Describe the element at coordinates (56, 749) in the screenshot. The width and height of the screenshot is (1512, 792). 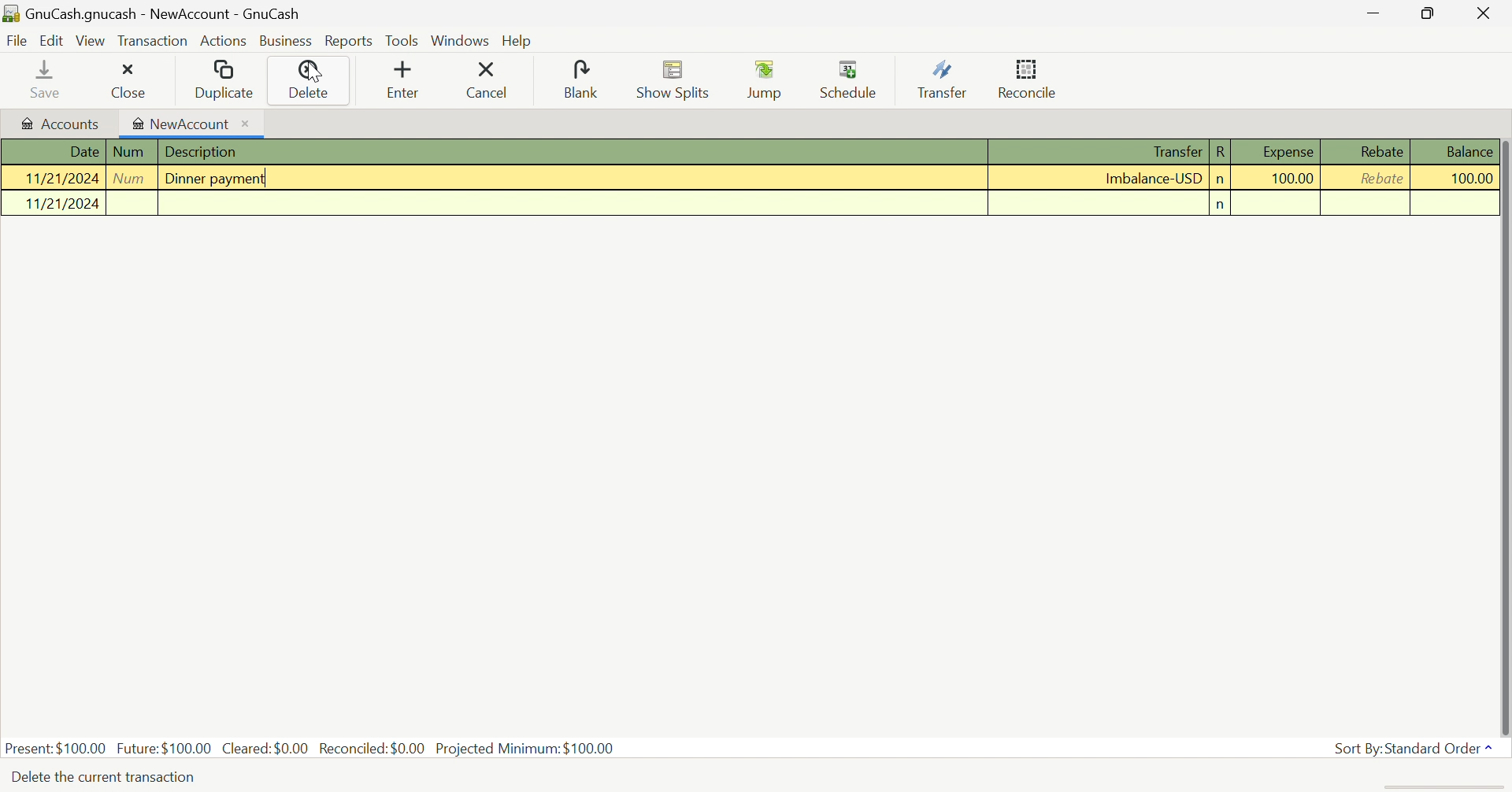
I see `Present: $100.00` at that location.